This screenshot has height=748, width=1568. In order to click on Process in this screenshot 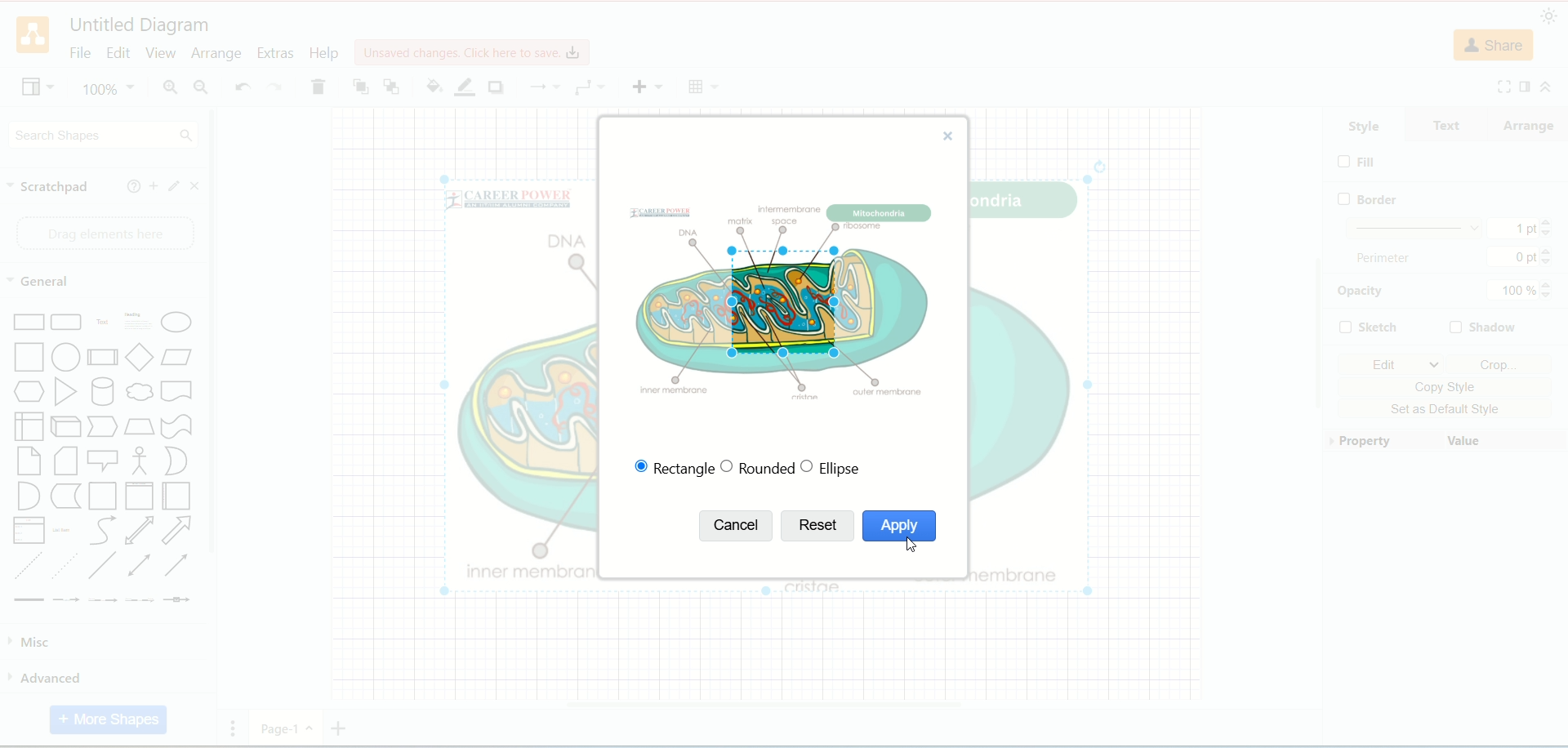, I will do `click(103, 358)`.